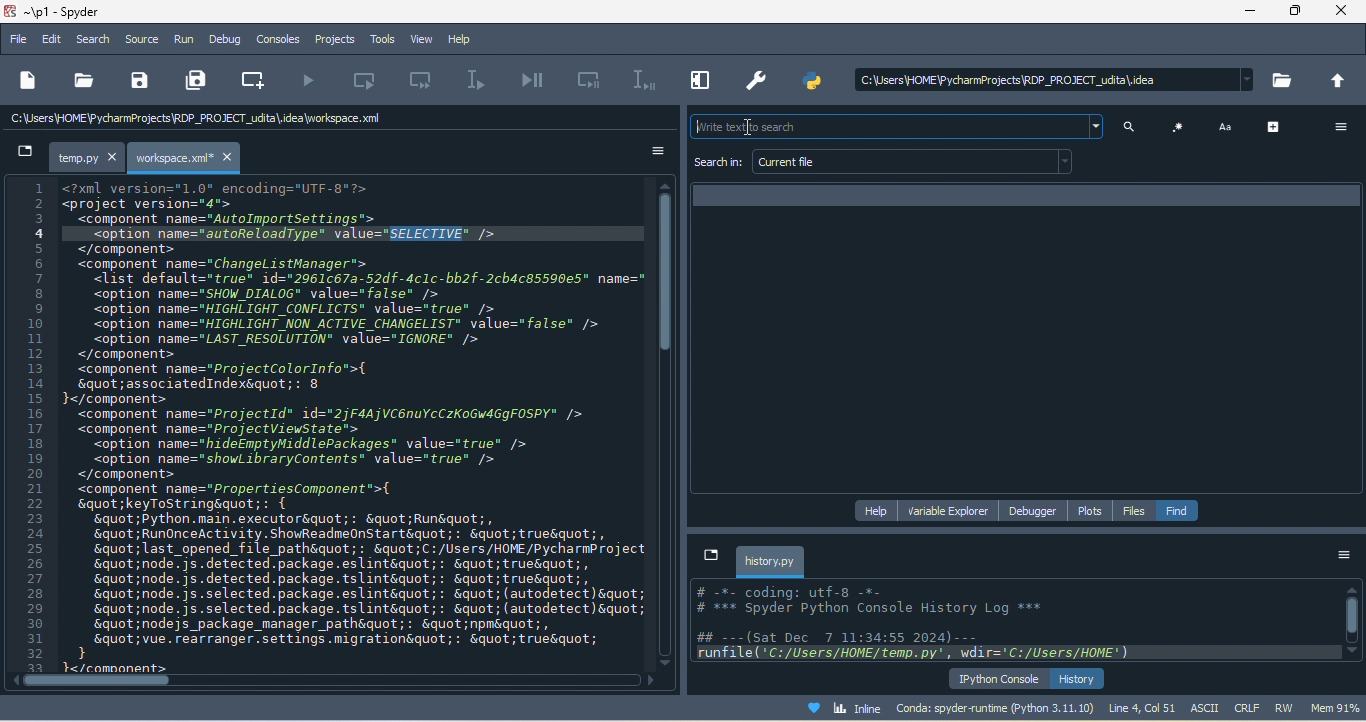 Image resolution: width=1366 pixels, height=722 pixels. Describe the element at coordinates (1037, 511) in the screenshot. I see `debugger` at that location.